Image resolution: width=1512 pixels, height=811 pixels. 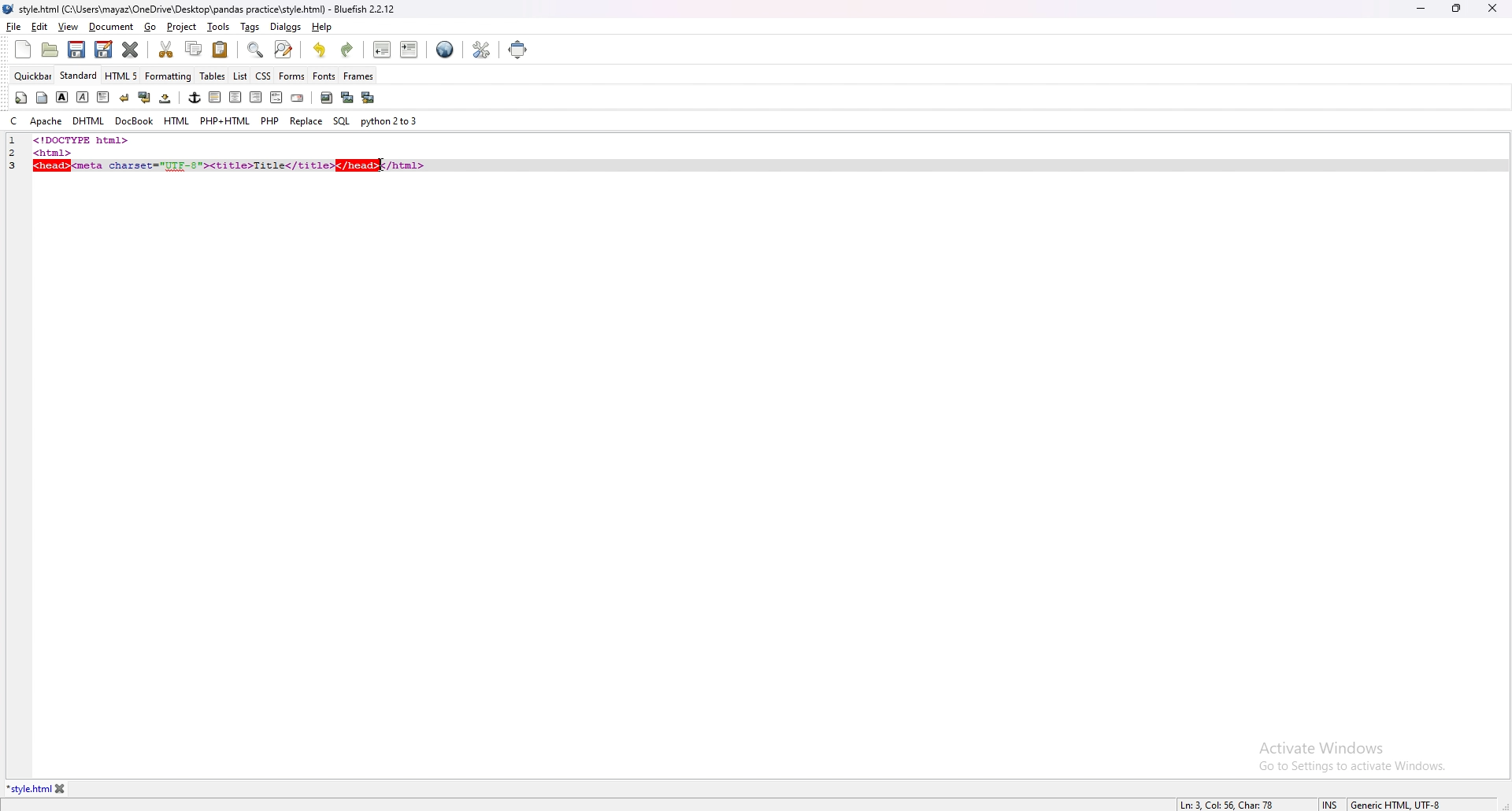 I want to click on left indent, so click(x=213, y=97).